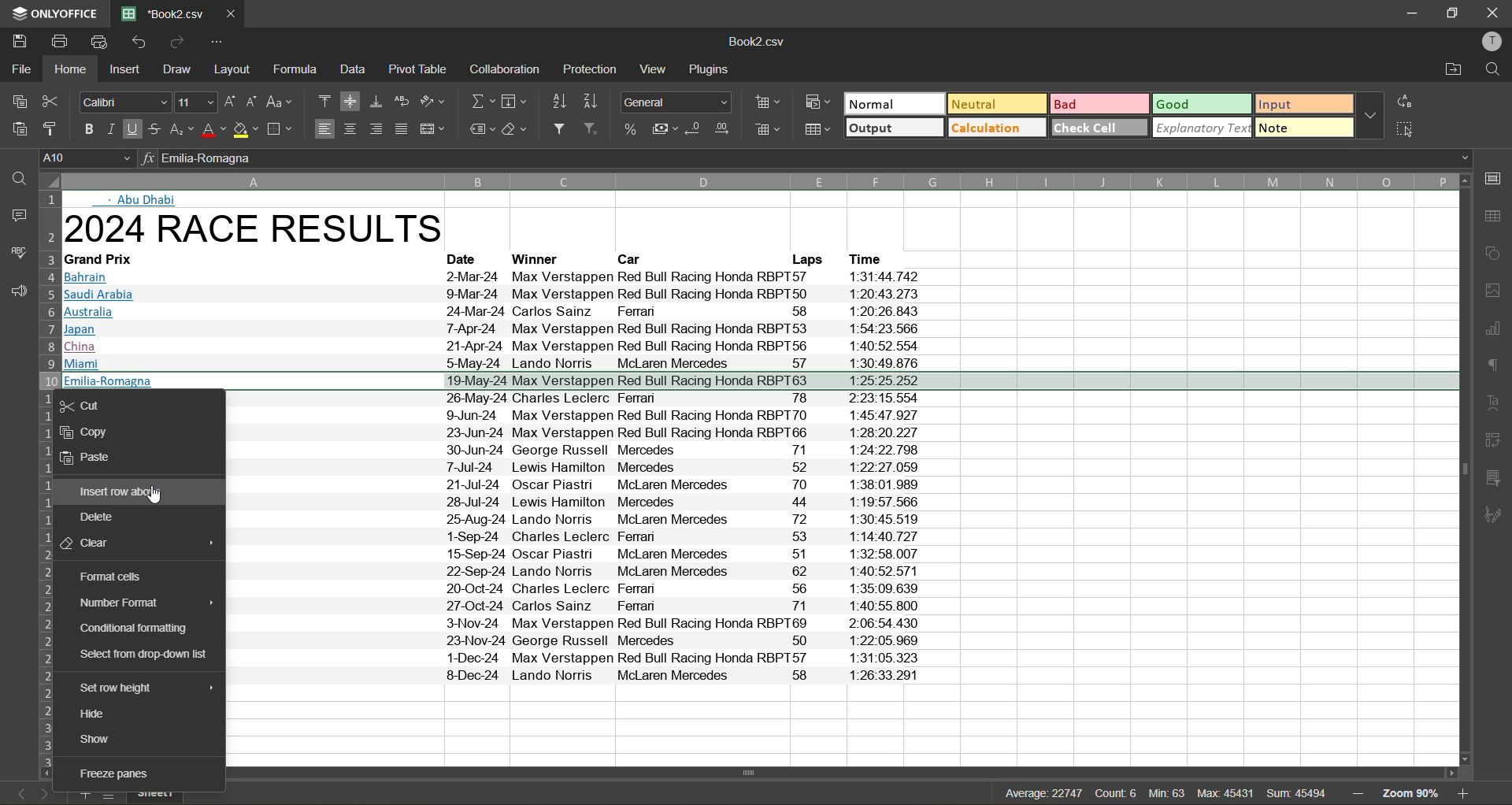 The height and width of the screenshot is (805, 1512). What do you see at coordinates (356, 70) in the screenshot?
I see `data` at bounding box center [356, 70].